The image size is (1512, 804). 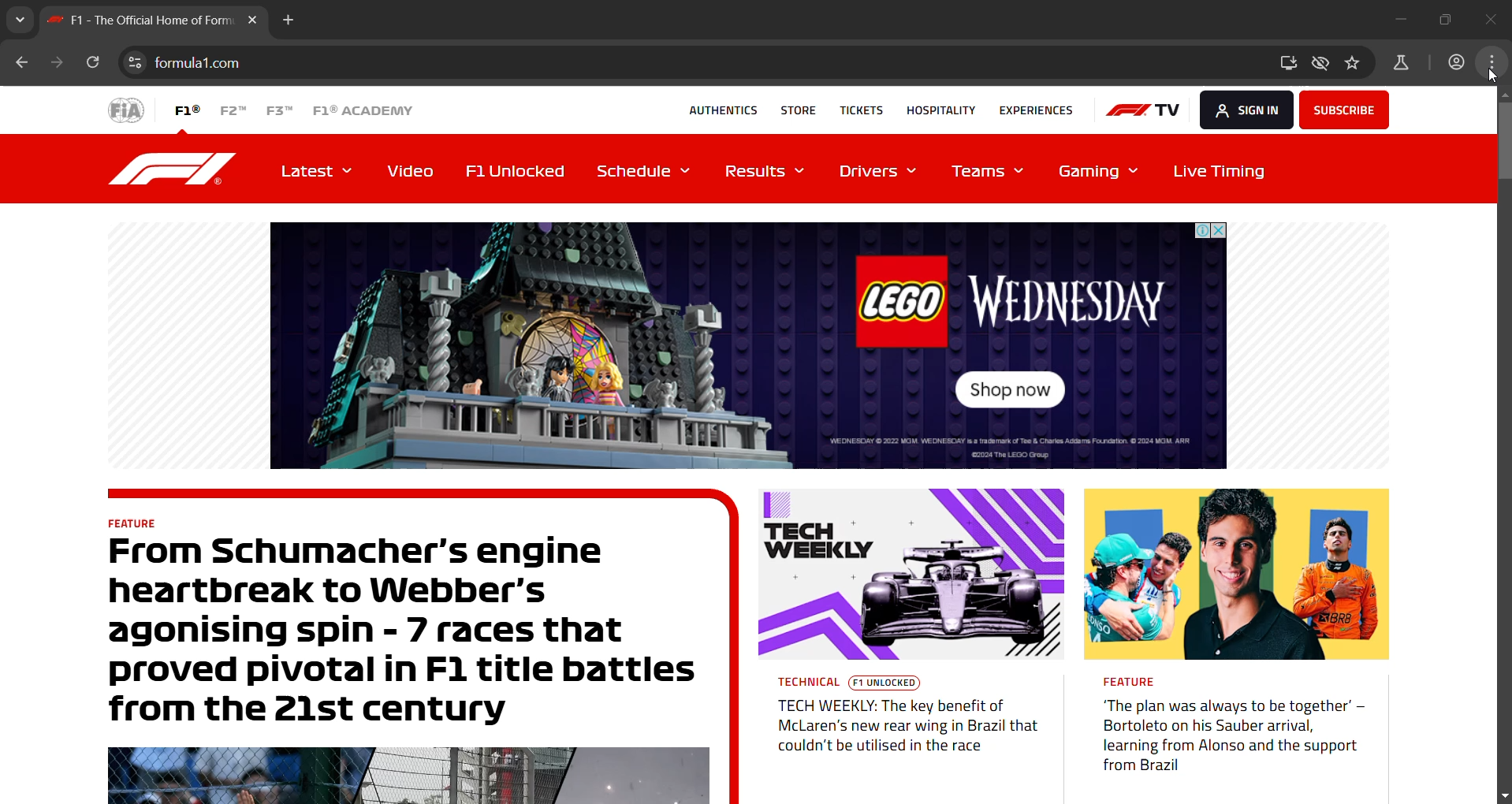 What do you see at coordinates (1446, 18) in the screenshot?
I see `maximize` at bounding box center [1446, 18].